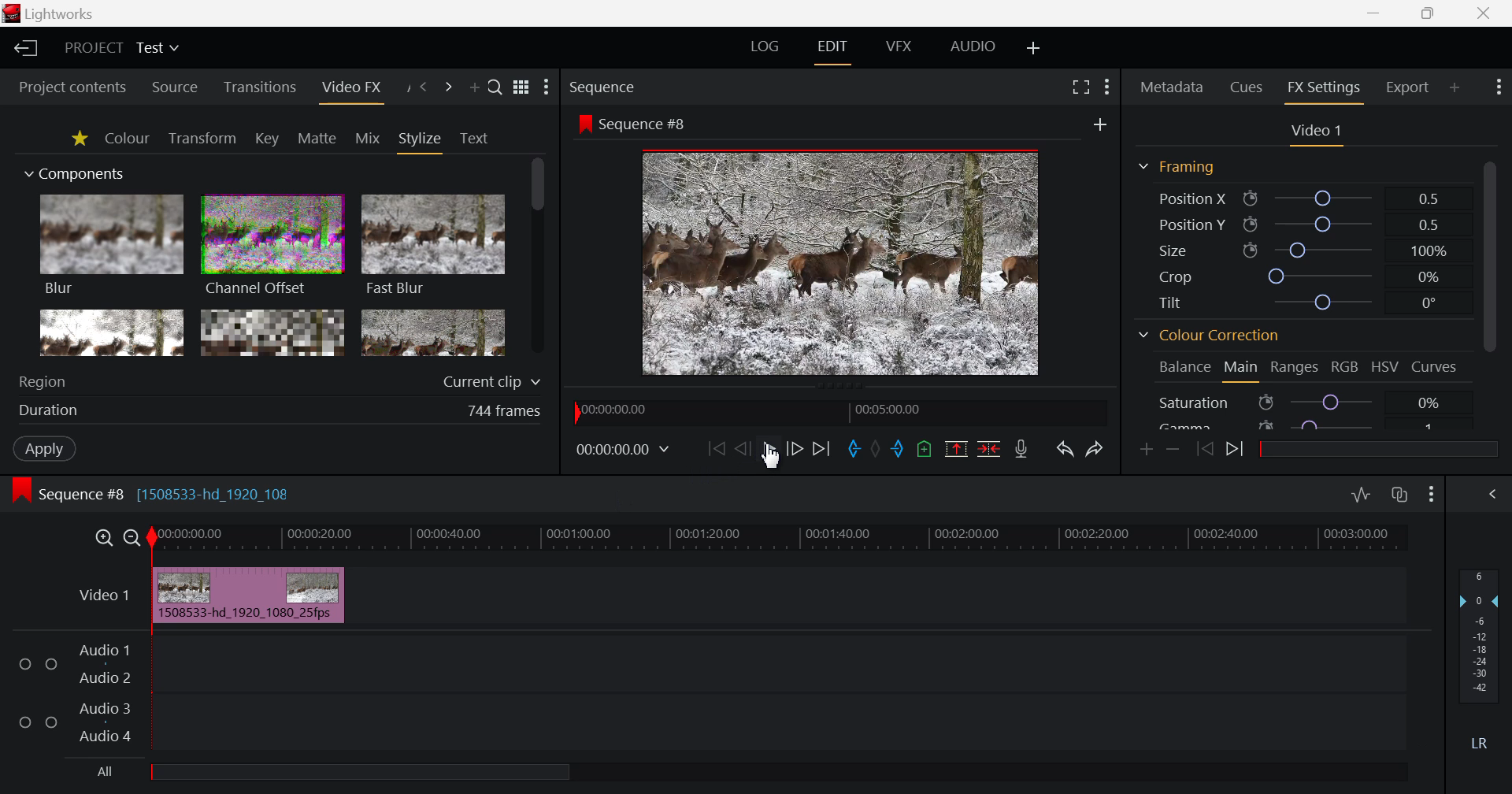 The image size is (1512, 794). I want to click on RGB, so click(1346, 366).